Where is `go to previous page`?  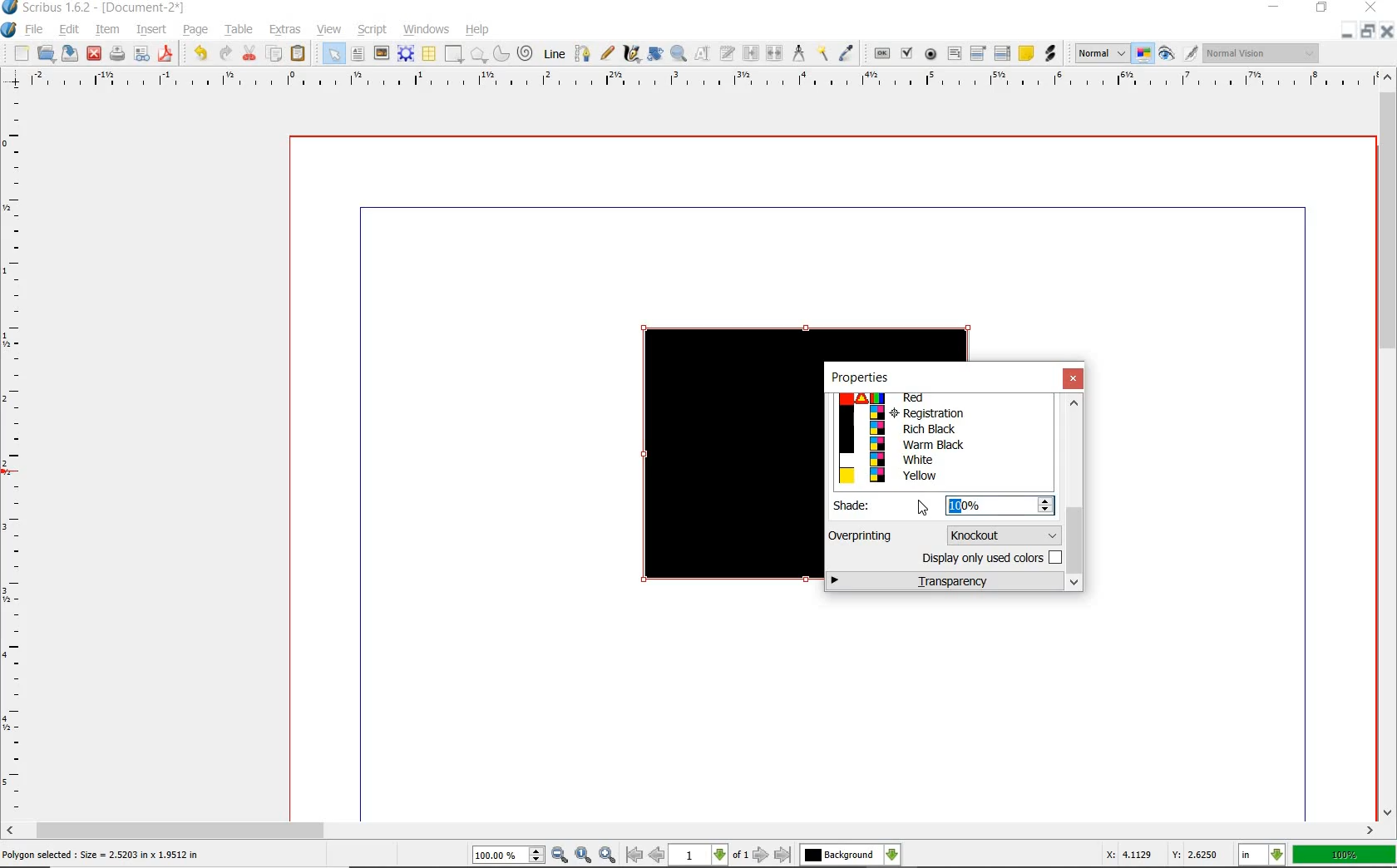 go to previous page is located at coordinates (657, 856).